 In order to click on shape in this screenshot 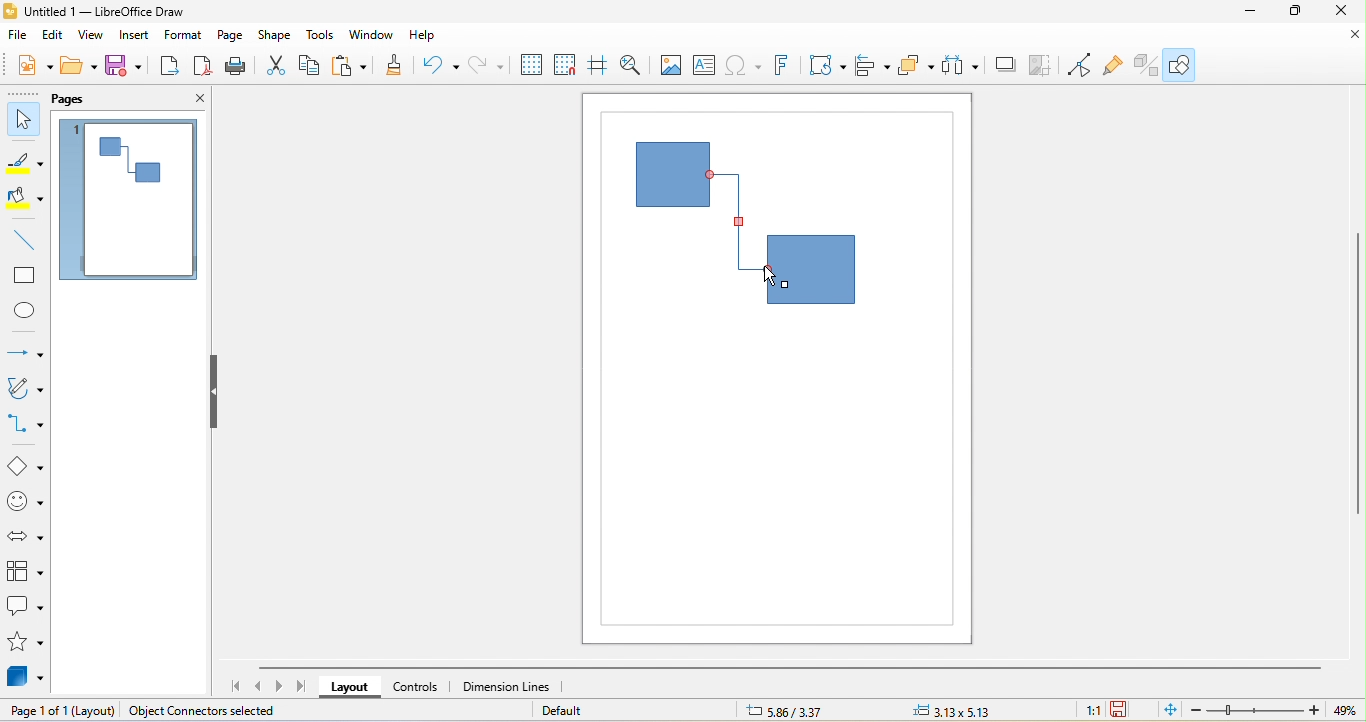, I will do `click(274, 36)`.